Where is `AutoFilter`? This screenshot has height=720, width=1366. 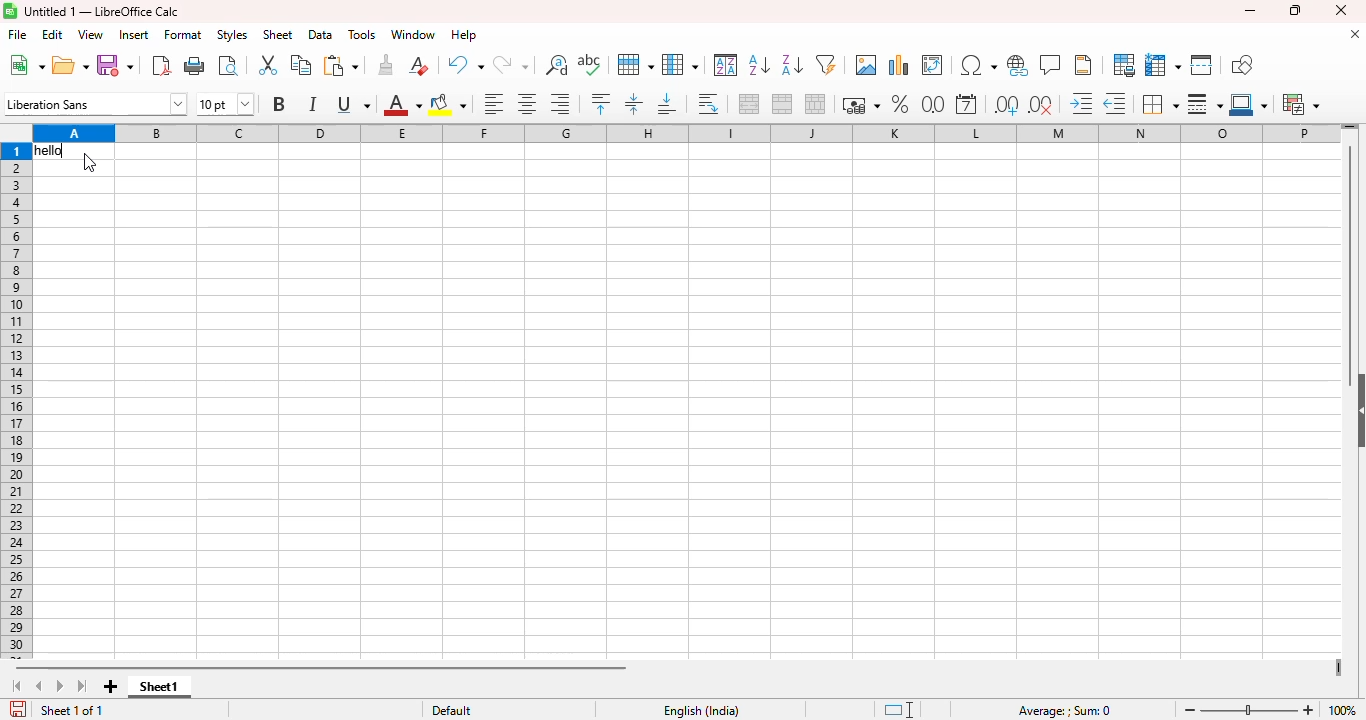
AutoFilter is located at coordinates (826, 64).